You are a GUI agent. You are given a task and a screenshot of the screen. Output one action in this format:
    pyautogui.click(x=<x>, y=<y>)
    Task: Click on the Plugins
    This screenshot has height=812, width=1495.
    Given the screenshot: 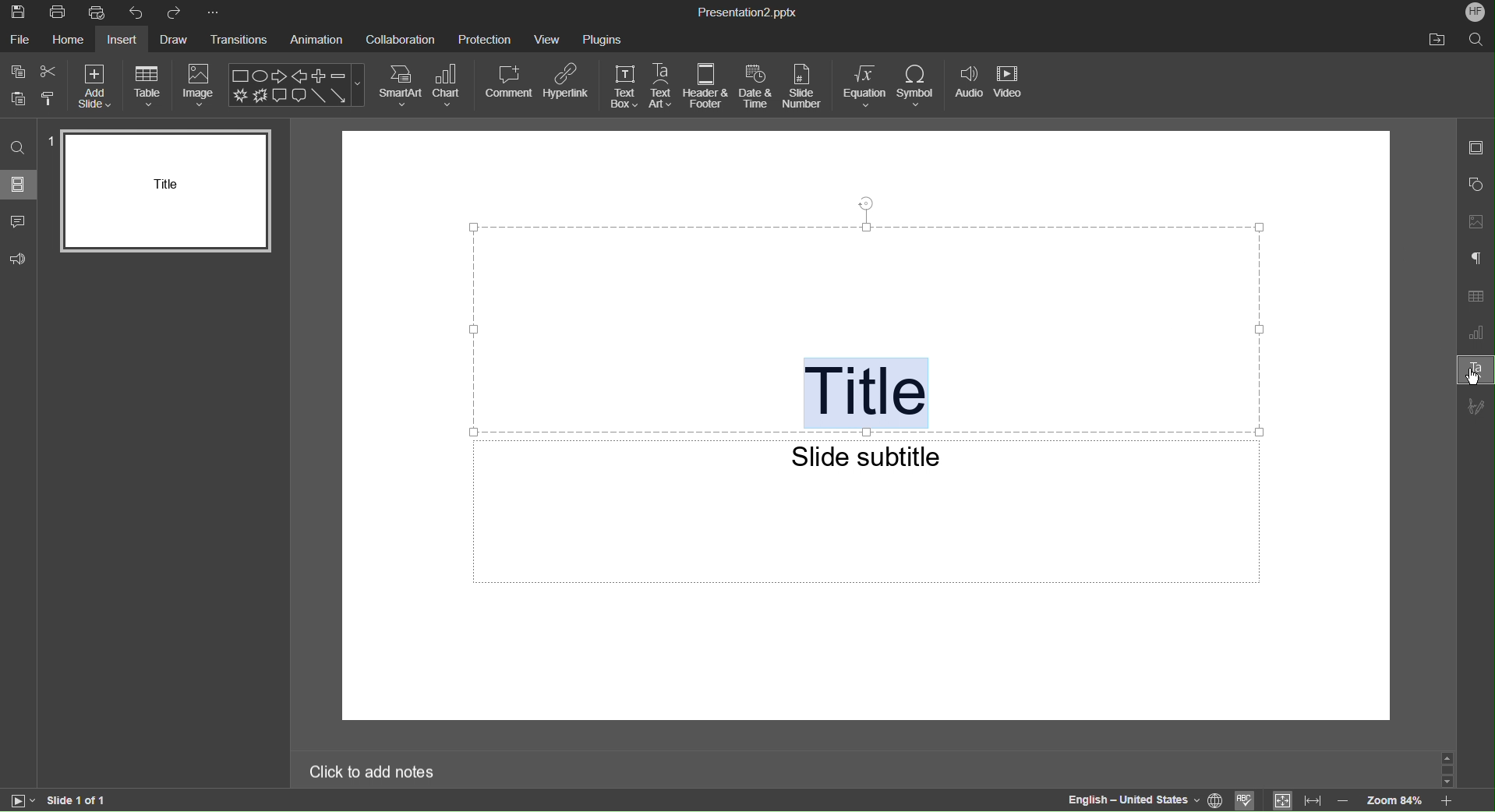 What is the action you would take?
    pyautogui.click(x=603, y=38)
    